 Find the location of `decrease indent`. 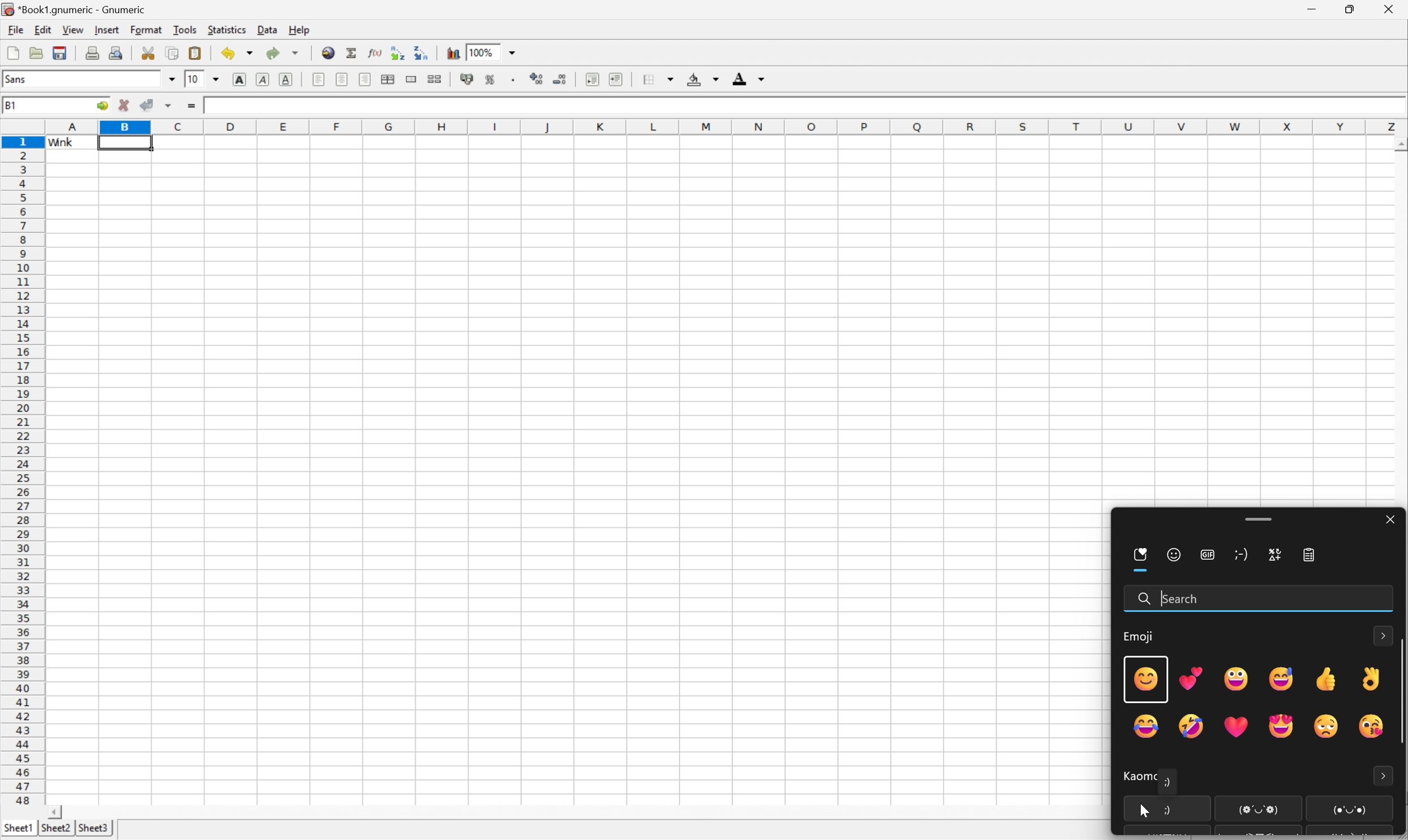

decrease indent is located at coordinates (592, 79).